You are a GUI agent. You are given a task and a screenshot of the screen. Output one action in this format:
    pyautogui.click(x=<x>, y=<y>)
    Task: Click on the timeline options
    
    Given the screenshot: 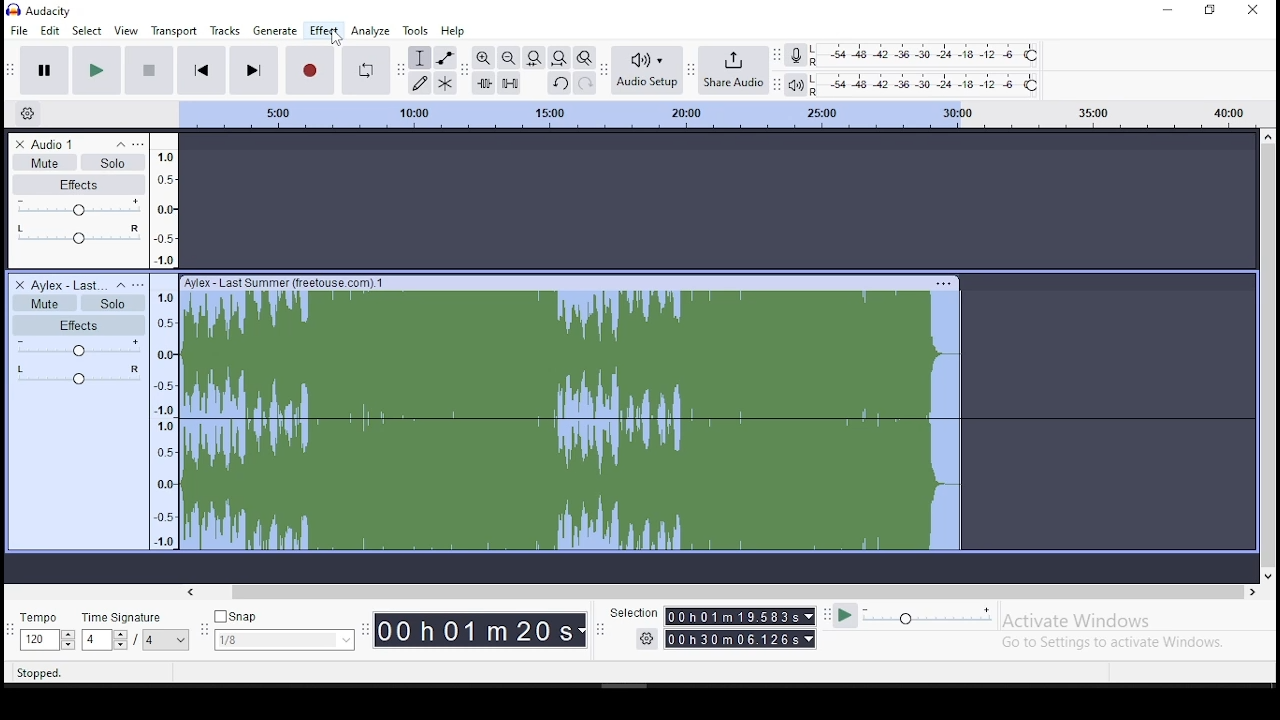 What is the action you would take?
    pyautogui.click(x=27, y=114)
    